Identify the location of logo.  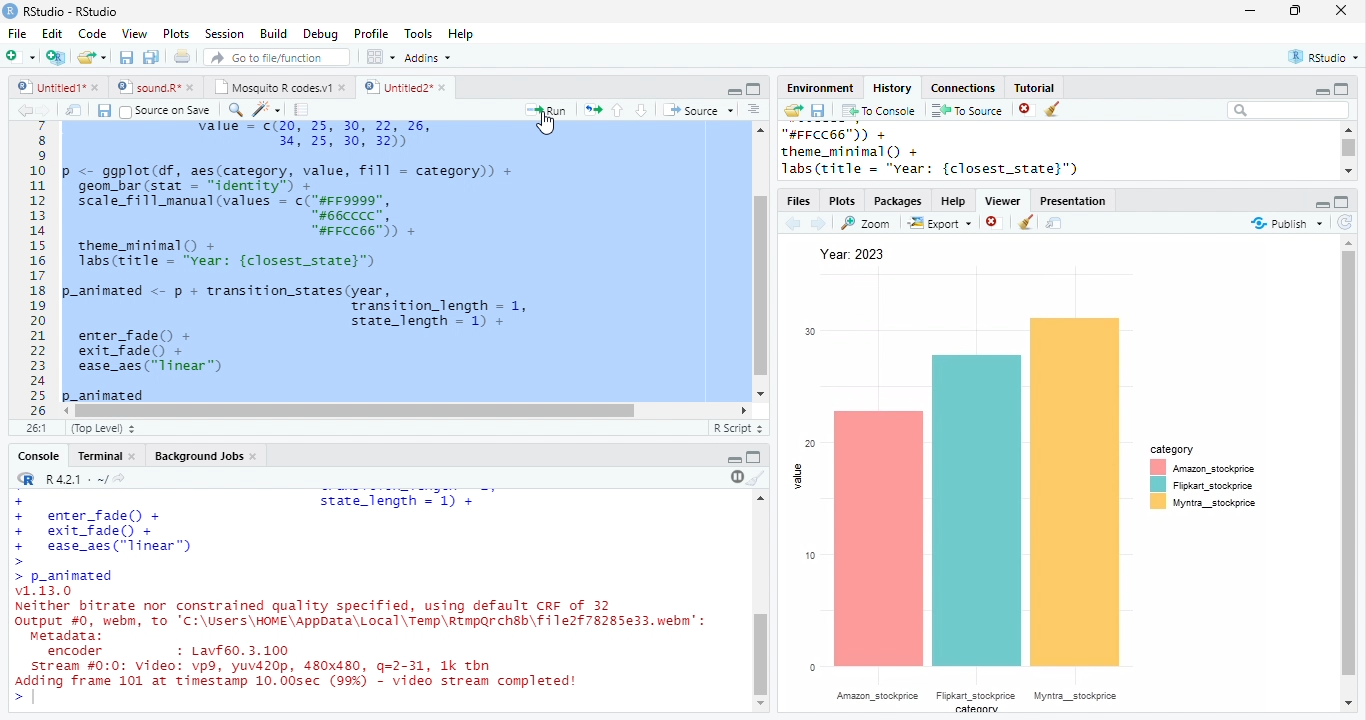
(10, 11).